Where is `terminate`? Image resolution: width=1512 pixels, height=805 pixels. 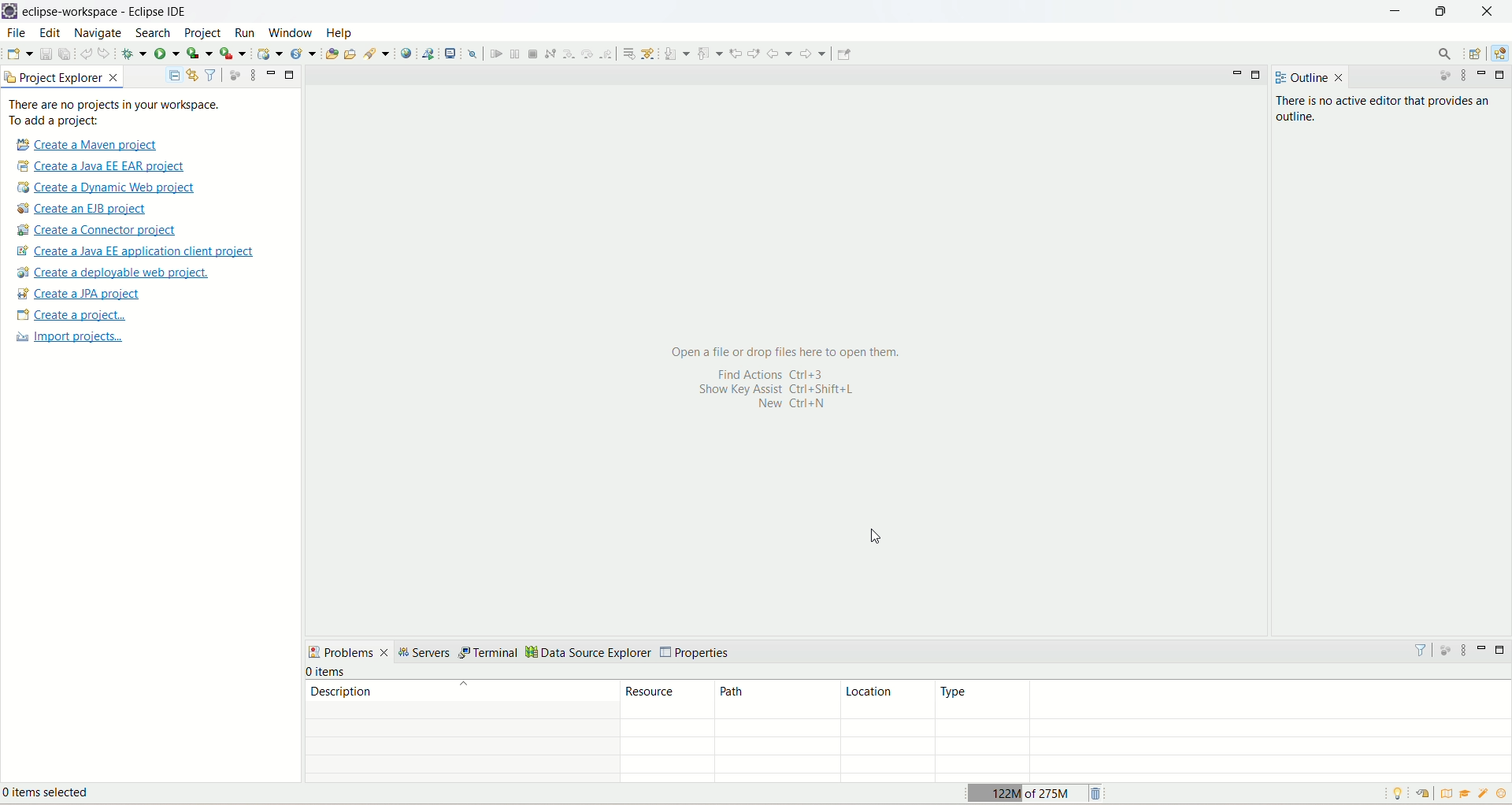
terminate is located at coordinates (535, 54).